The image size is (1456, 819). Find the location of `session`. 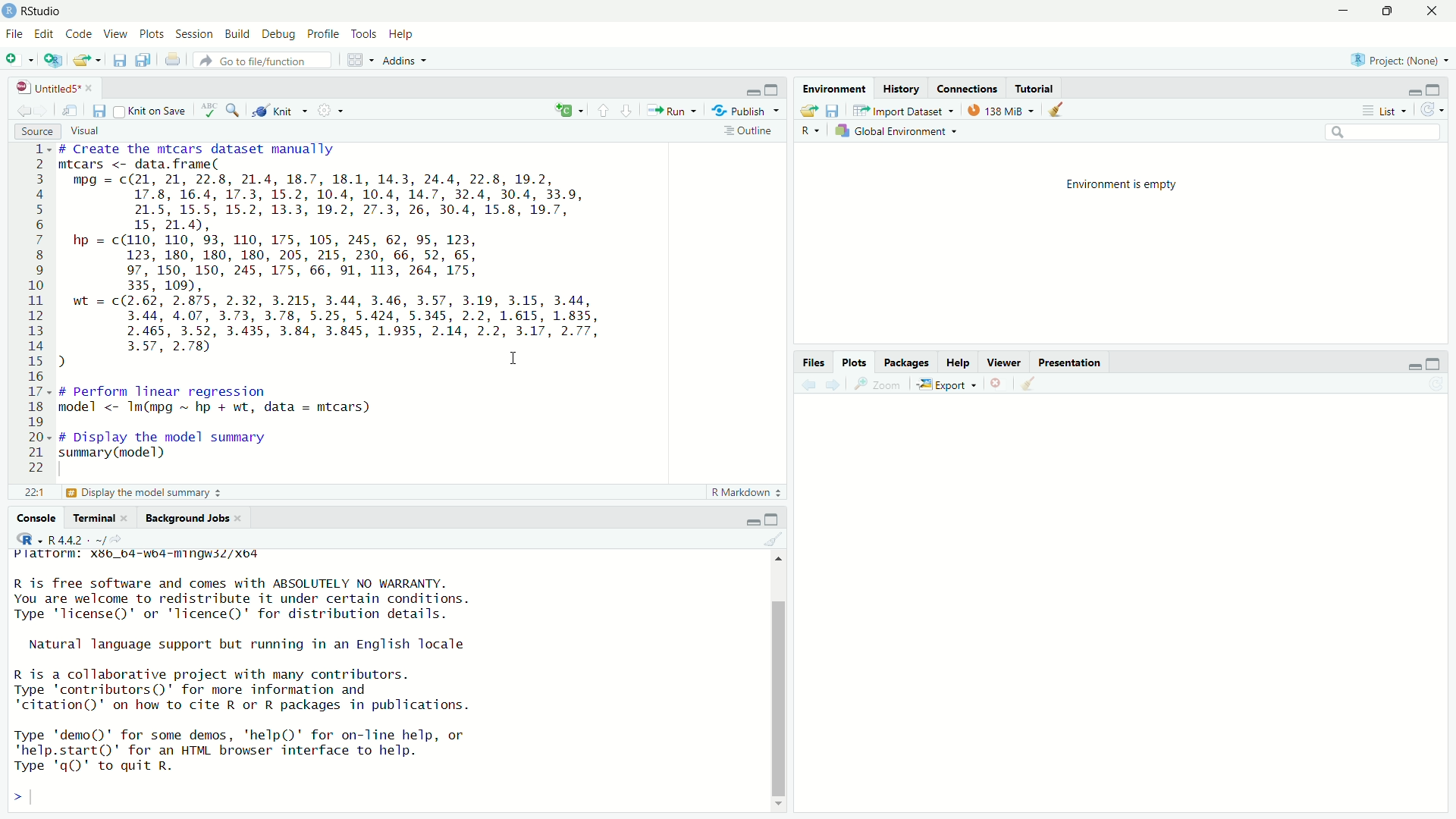

session is located at coordinates (194, 35).